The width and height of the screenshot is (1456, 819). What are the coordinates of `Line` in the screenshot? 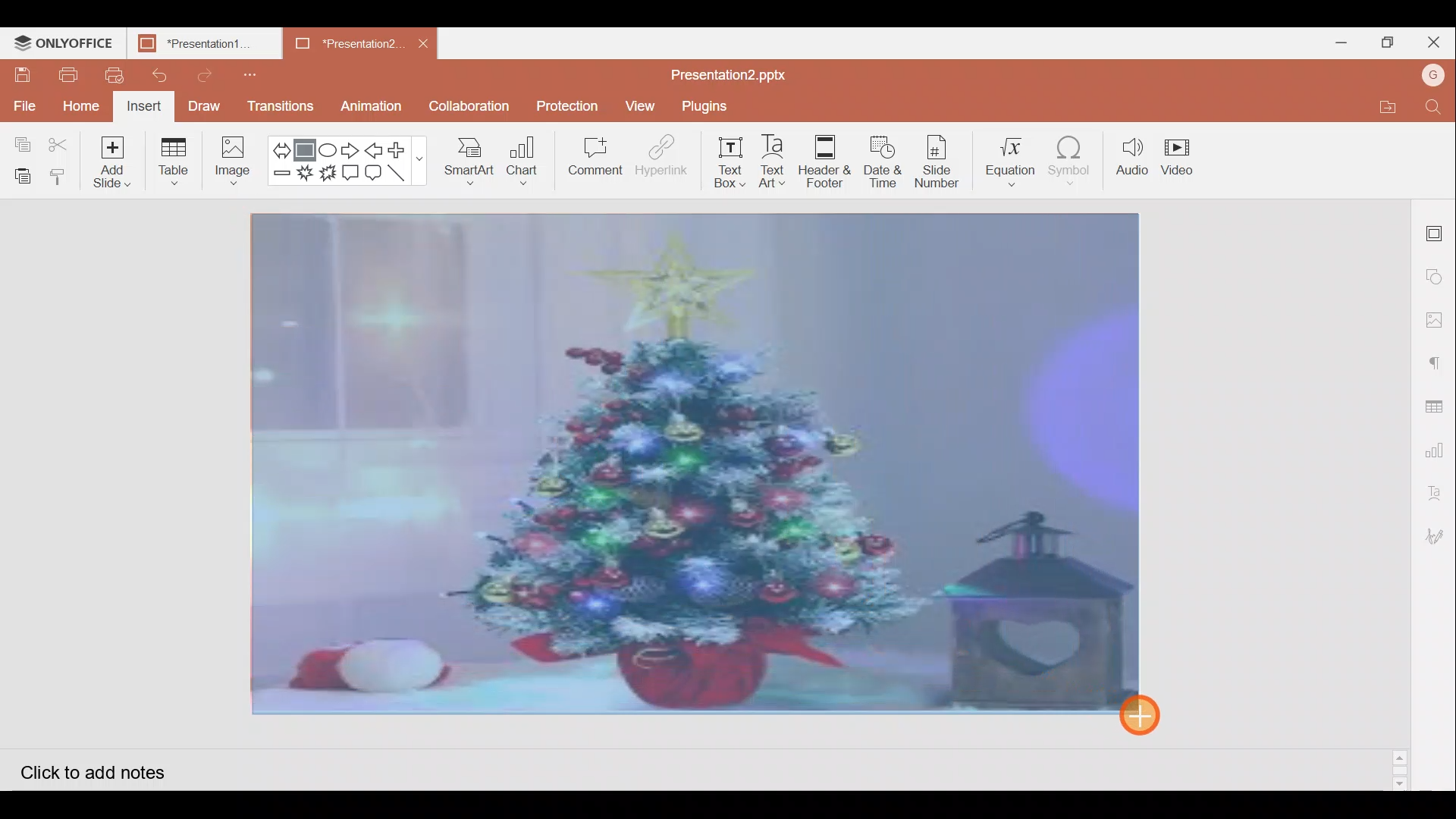 It's located at (402, 175).